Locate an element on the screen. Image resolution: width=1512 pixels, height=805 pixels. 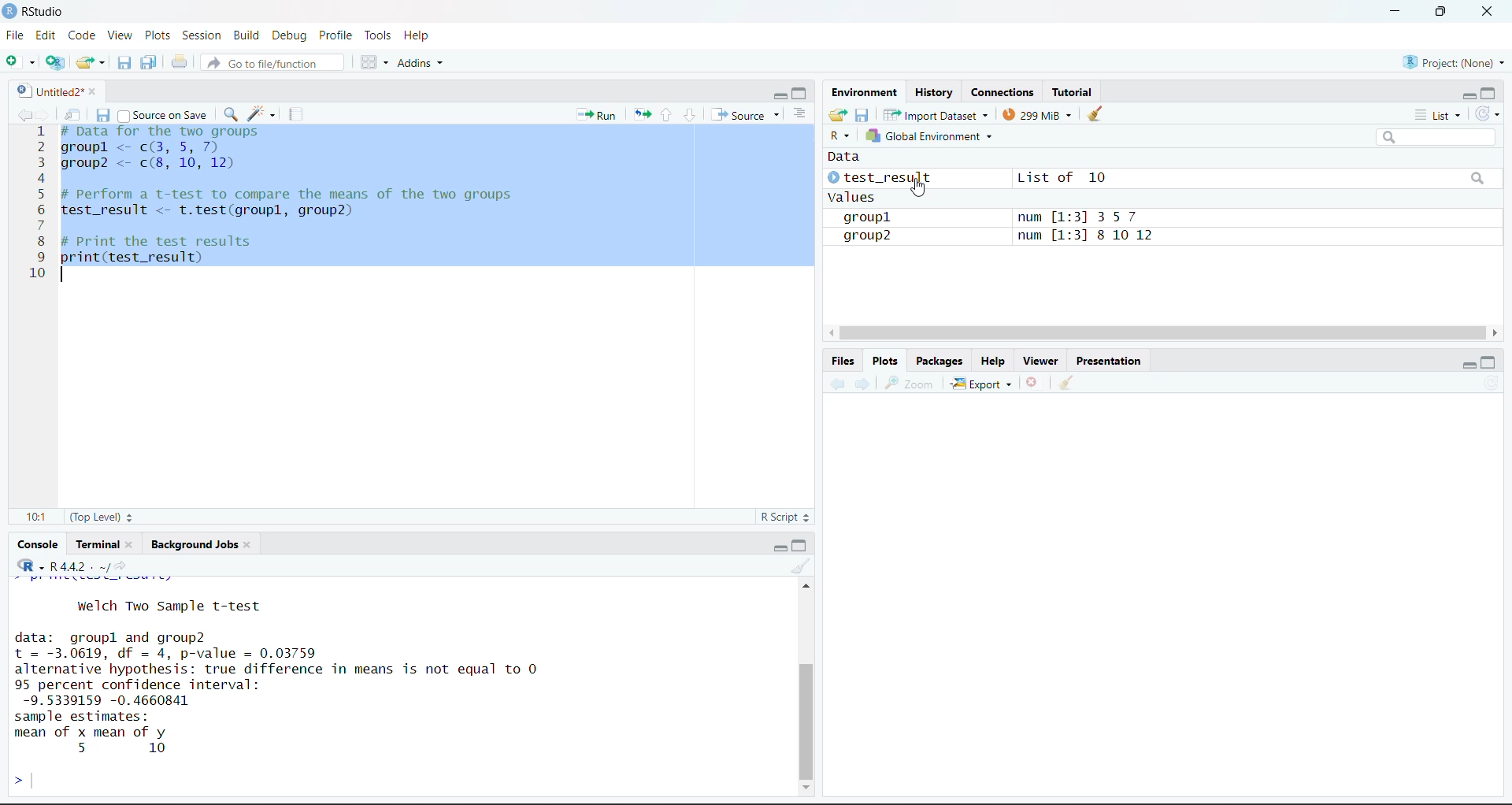
# Data for the two groups

groupl <- c(3, 5, 7)

group2 <- c(8, 10, 12)

# Perform a t-test to compare the means of the two groups
test_result <- t.test(groupl, group2)

# Print the test results

print(test_result) is located at coordinates (302, 193).